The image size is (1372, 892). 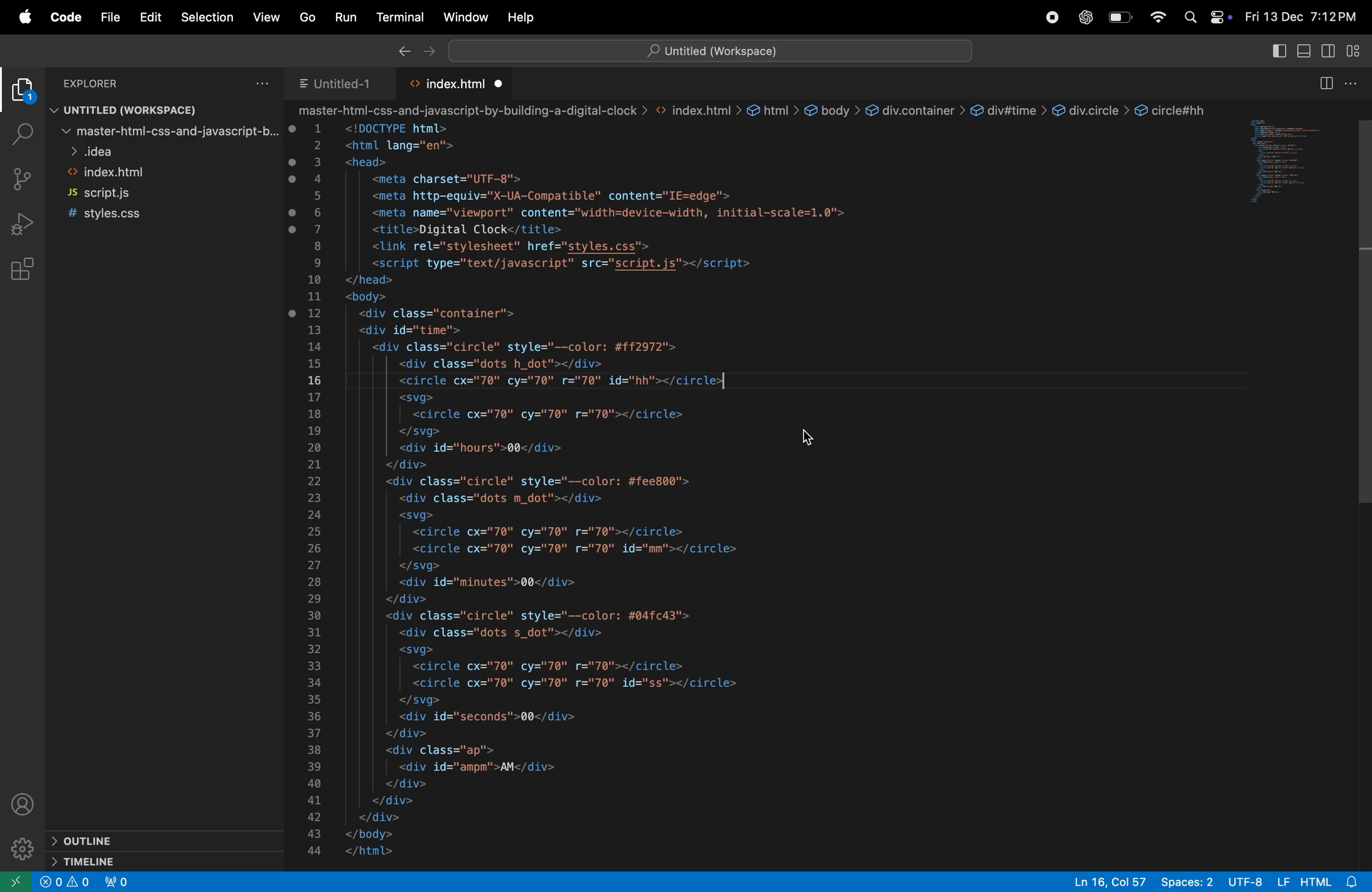 What do you see at coordinates (1087, 17) in the screenshot?
I see `chatgpt` at bounding box center [1087, 17].